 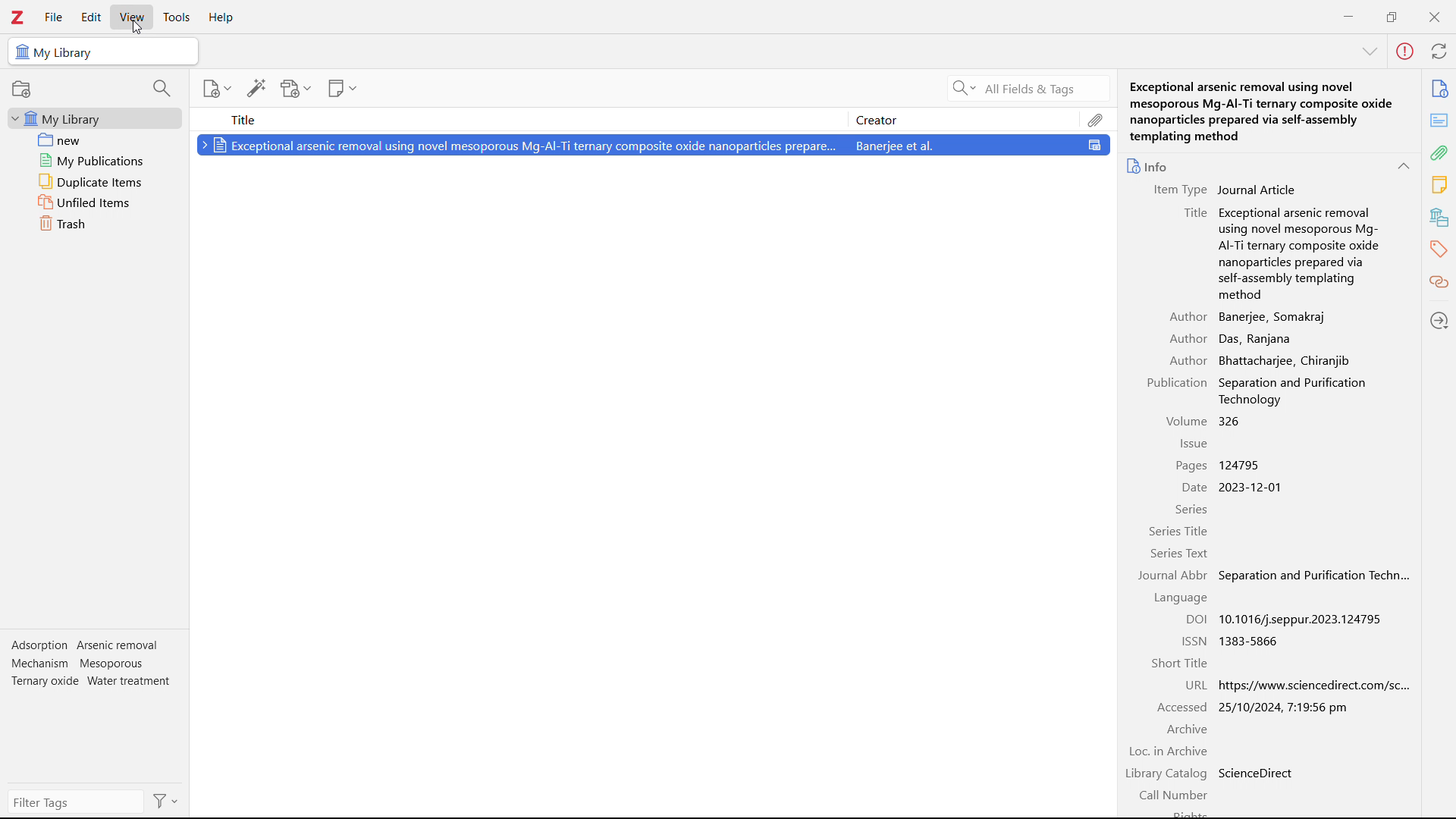 I want to click on All Fields & Tags, so click(x=1009, y=88).